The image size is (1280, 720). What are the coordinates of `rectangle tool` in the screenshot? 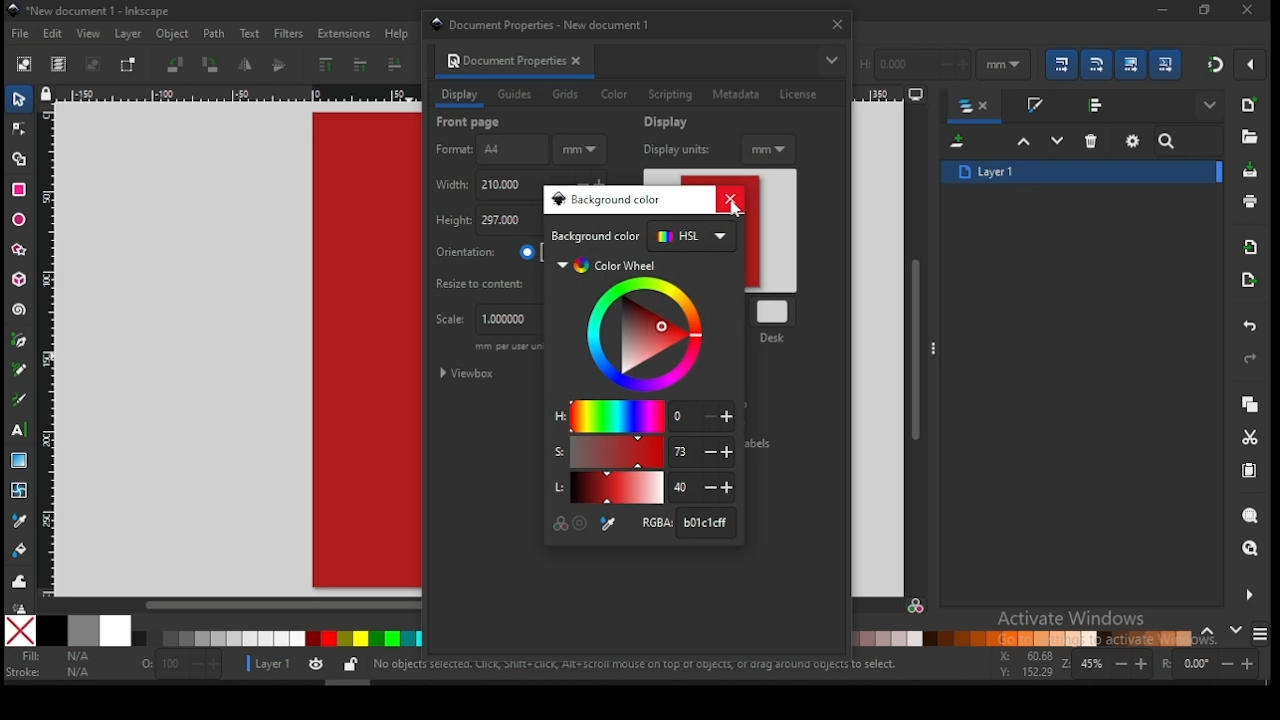 It's located at (19, 190).